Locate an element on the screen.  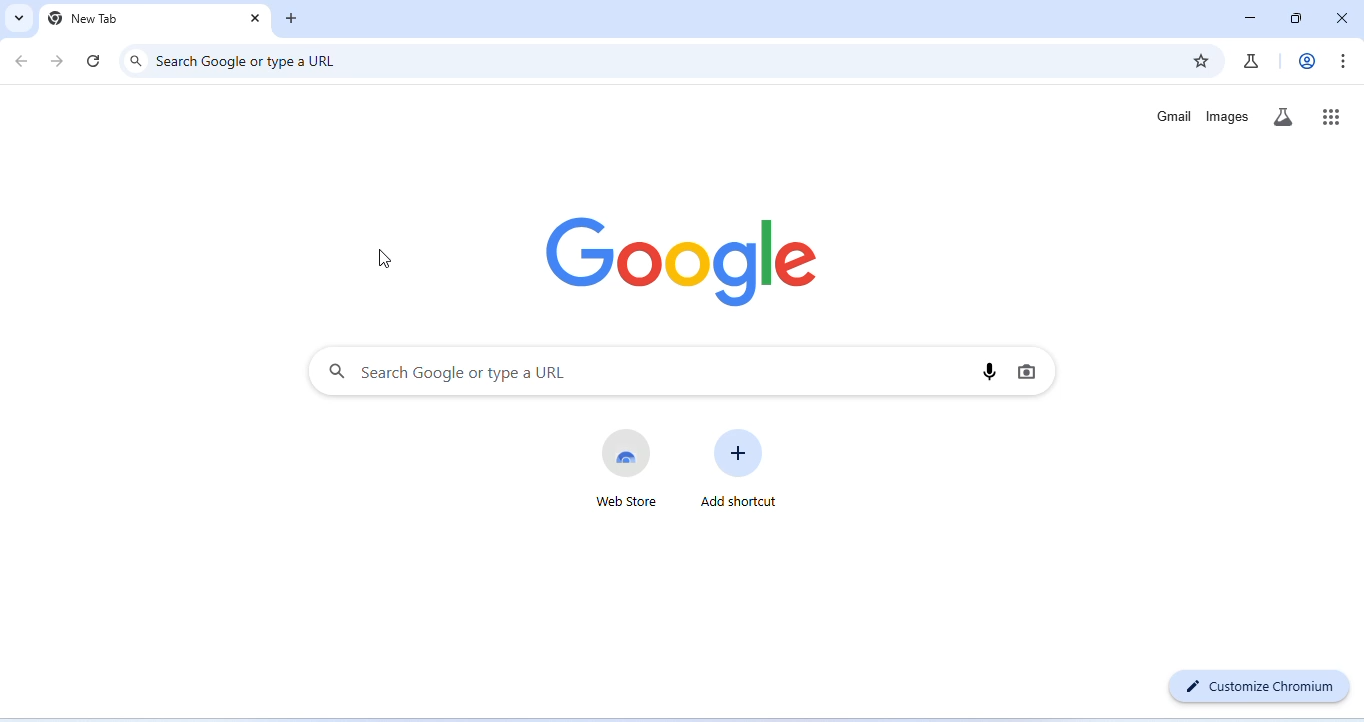
google is located at coordinates (686, 264).